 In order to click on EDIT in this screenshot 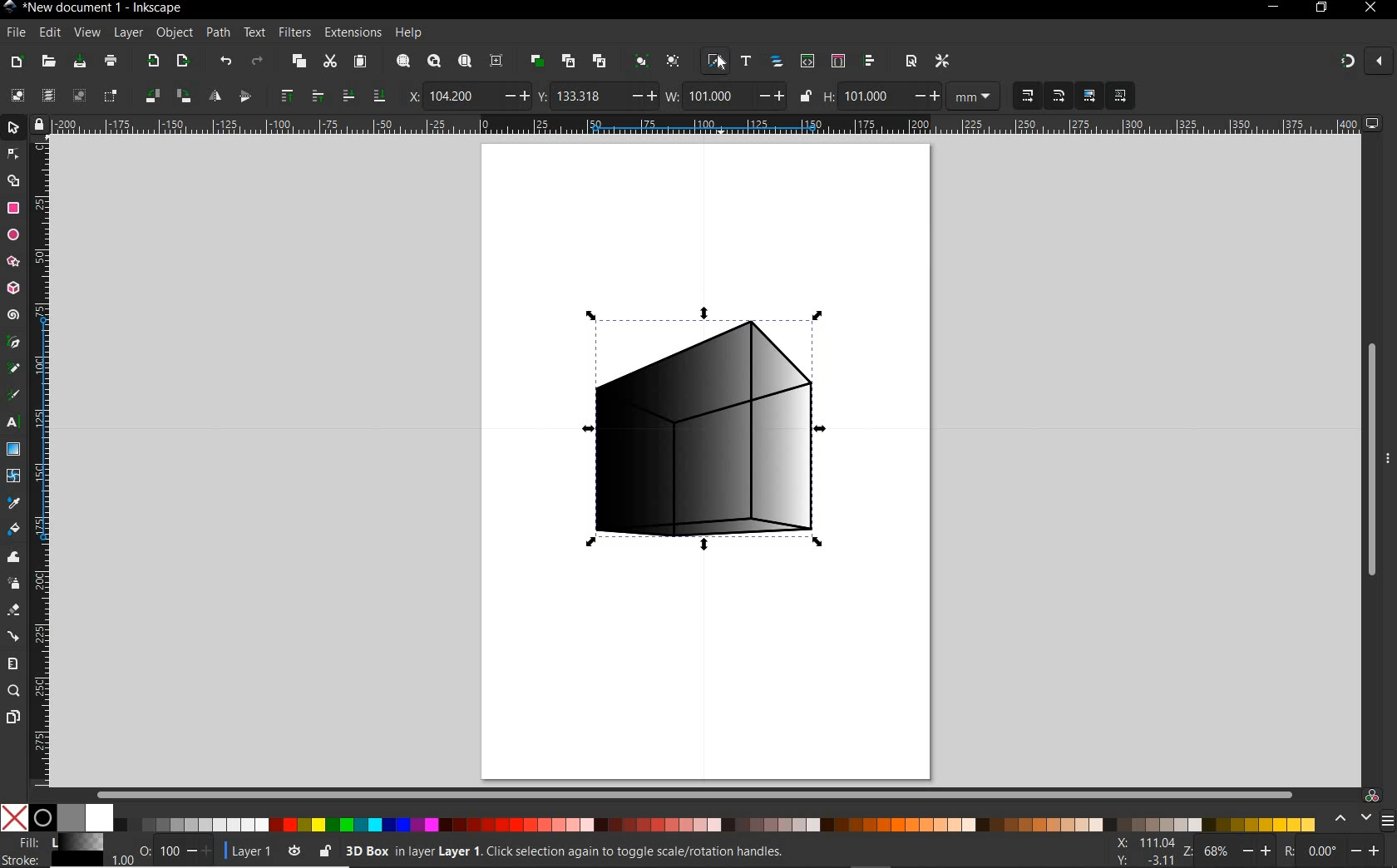, I will do `click(50, 33)`.